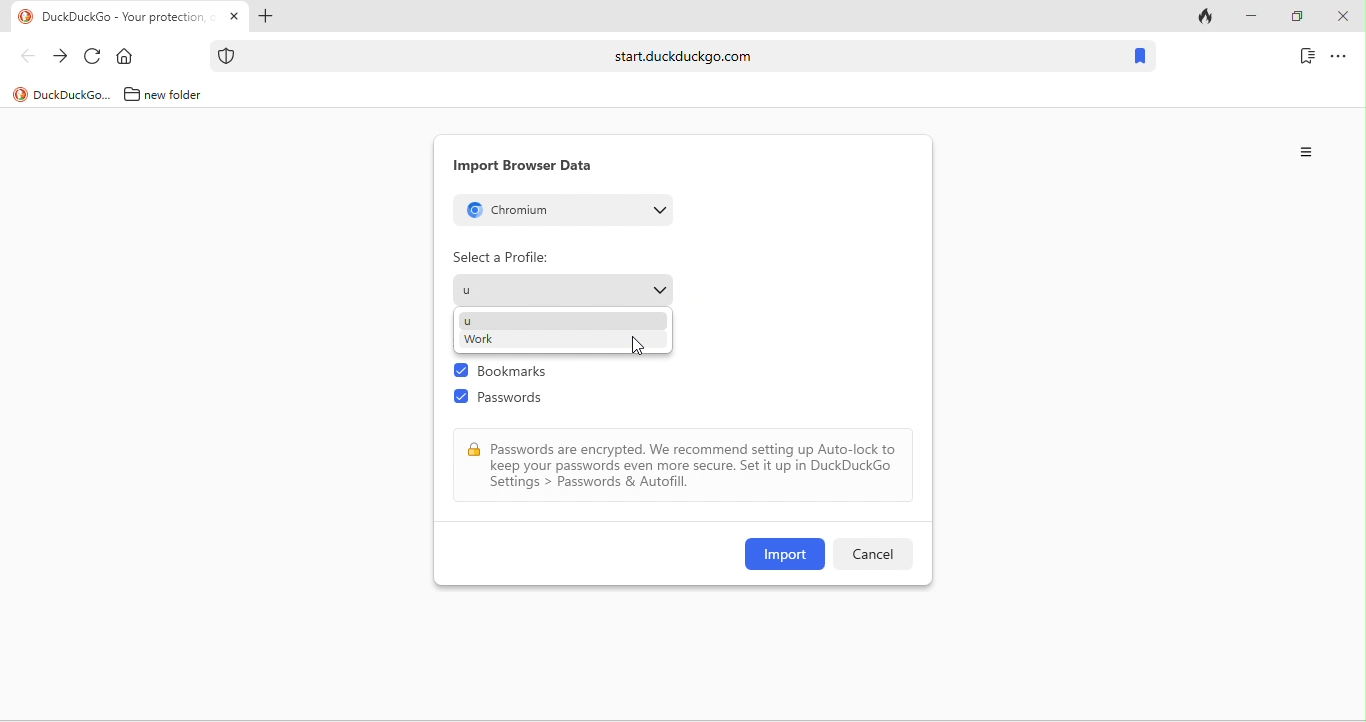 Image resolution: width=1366 pixels, height=722 pixels. What do you see at coordinates (60, 57) in the screenshot?
I see `forward` at bounding box center [60, 57].